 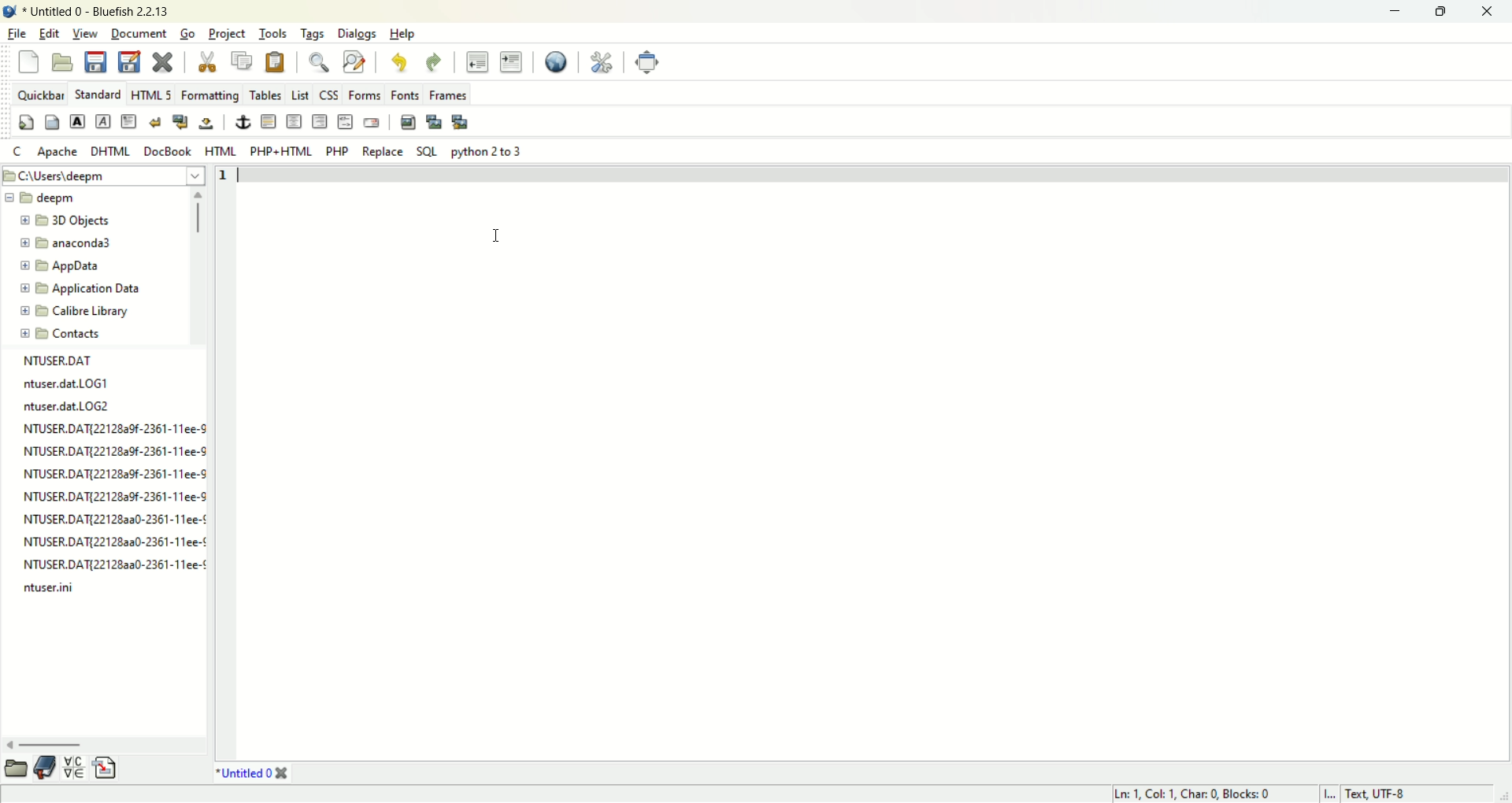 What do you see at coordinates (95, 60) in the screenshot?
I see `save current file` at bounding box center [95, 60].